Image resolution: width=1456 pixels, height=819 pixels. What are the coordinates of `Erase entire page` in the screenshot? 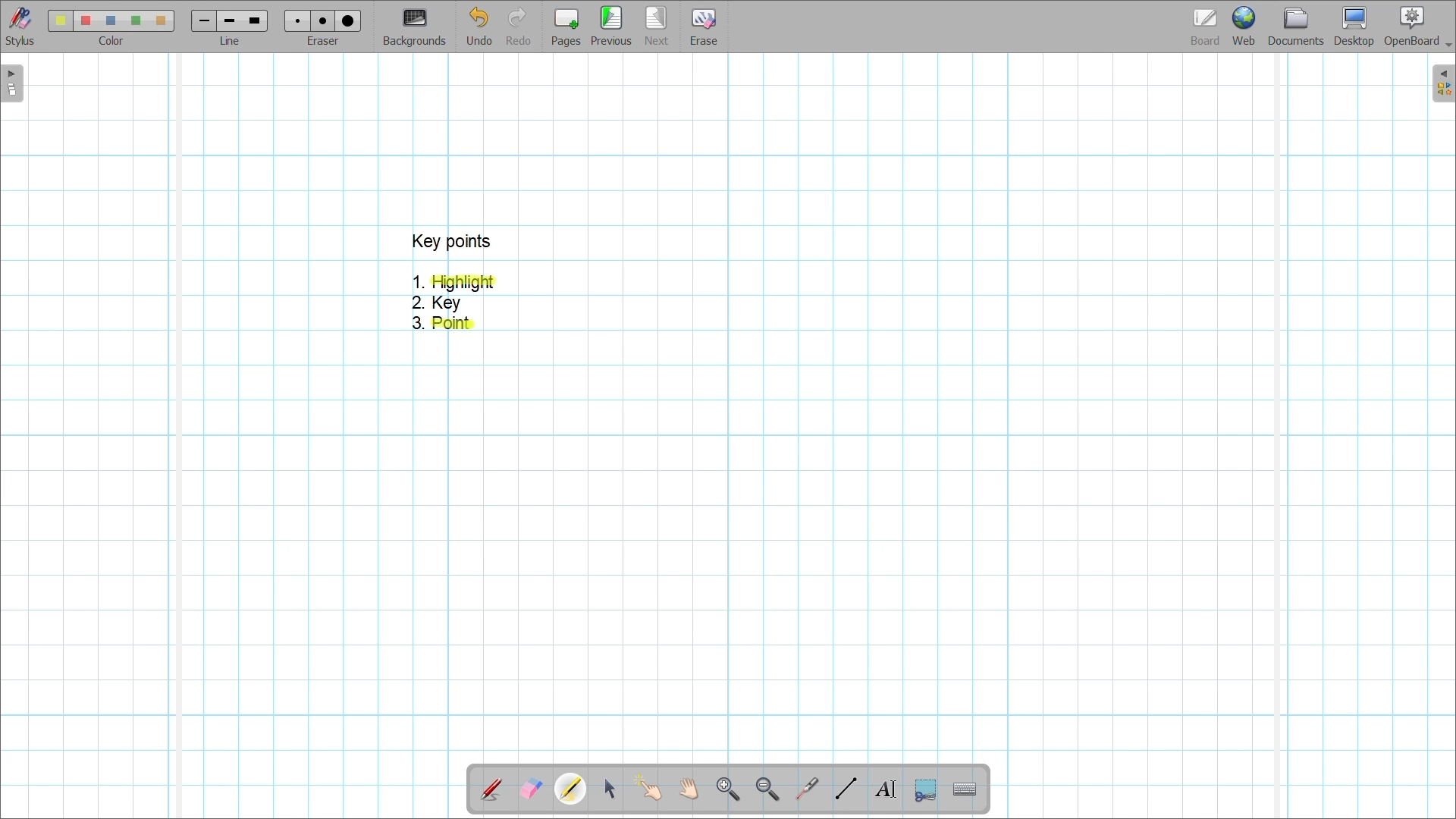 It's located at (703, 27).